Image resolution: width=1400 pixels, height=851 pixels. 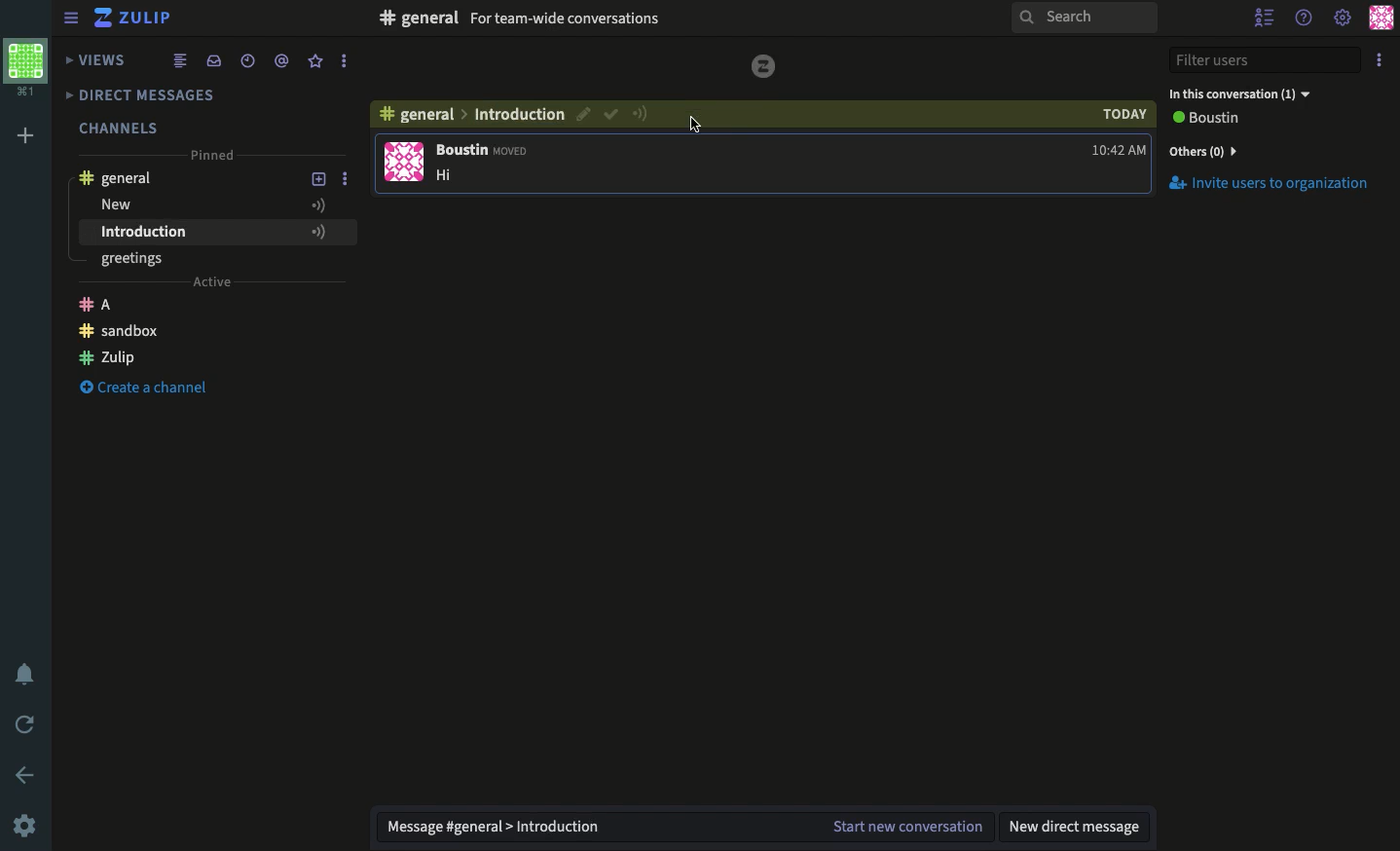 I want to click on logo, so click(x=761, y=66).